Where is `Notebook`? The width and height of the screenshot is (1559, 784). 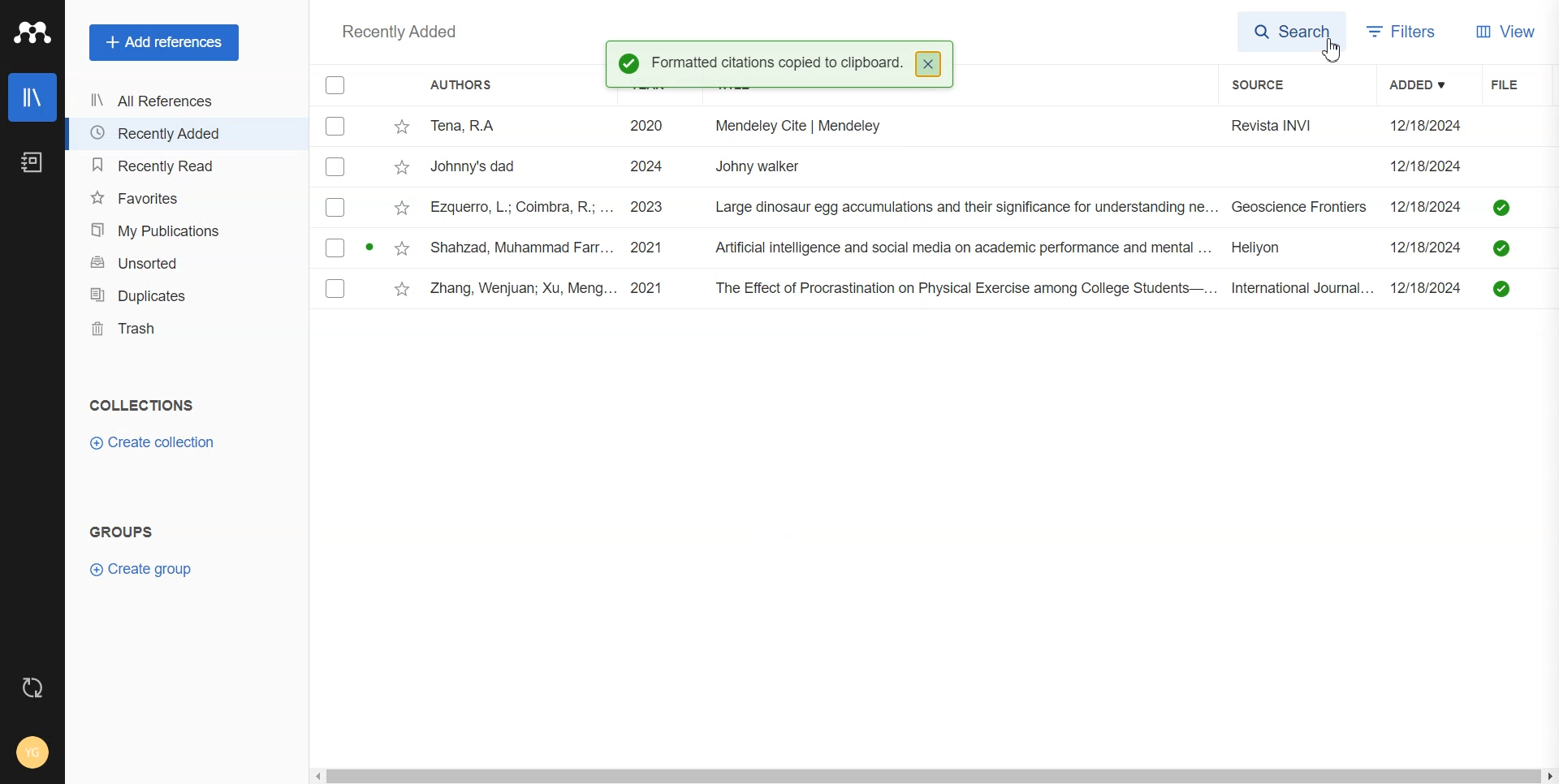 Notebook is located at coordinates (32, 162).